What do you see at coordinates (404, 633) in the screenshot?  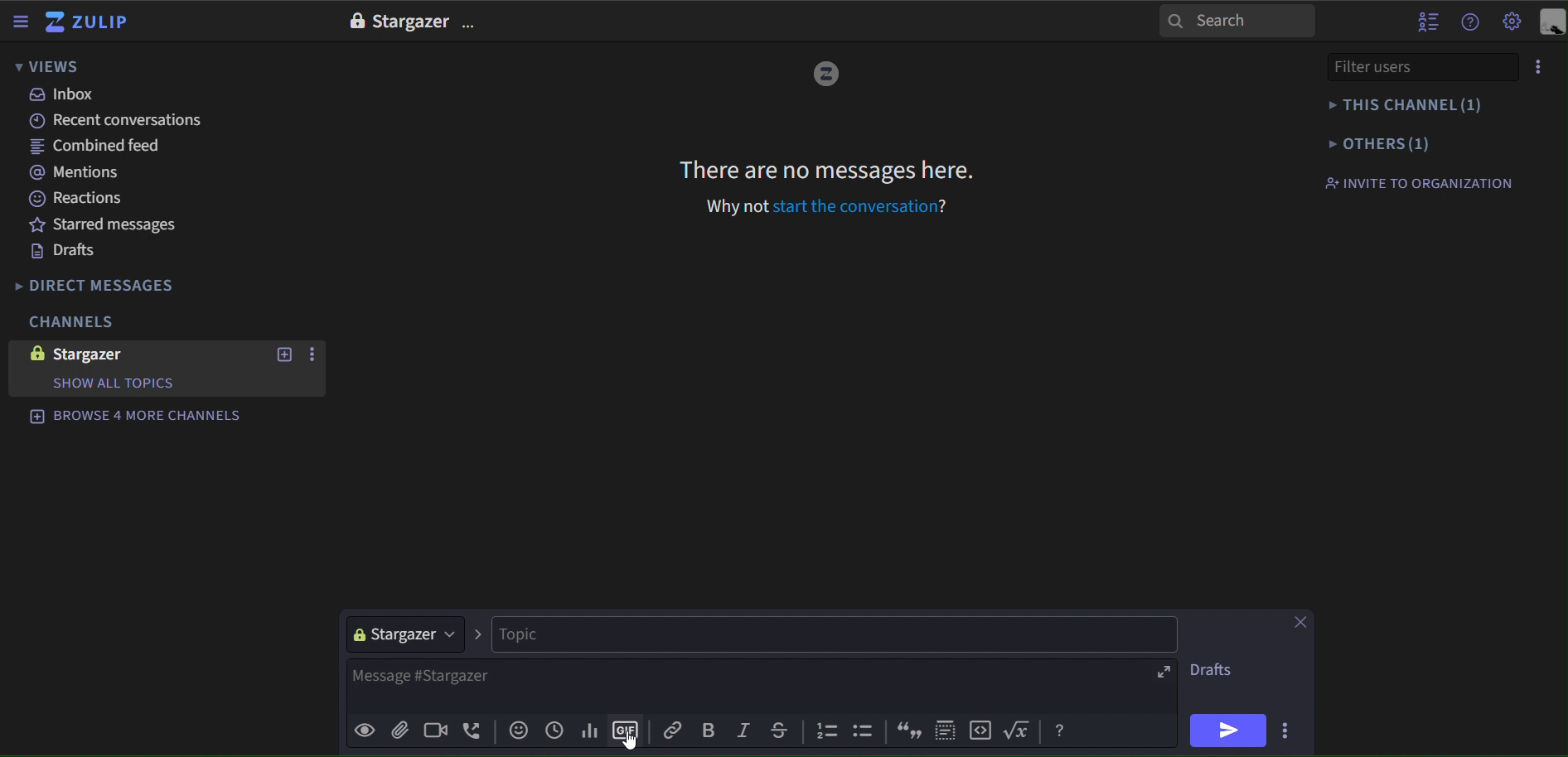 I see `stargazer` at bounding box center [404, 633].